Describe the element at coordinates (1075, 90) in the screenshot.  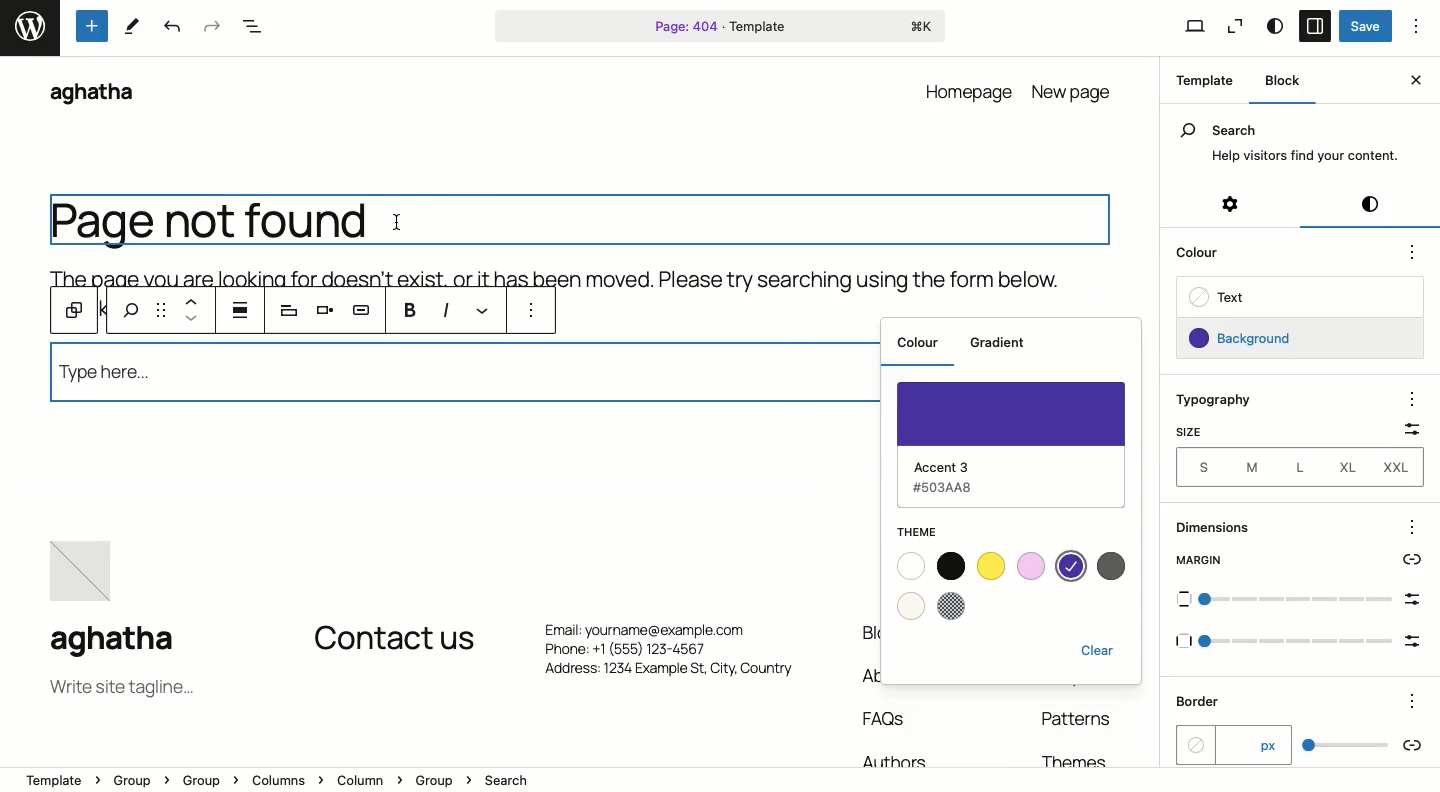
I see `new page` at that location.